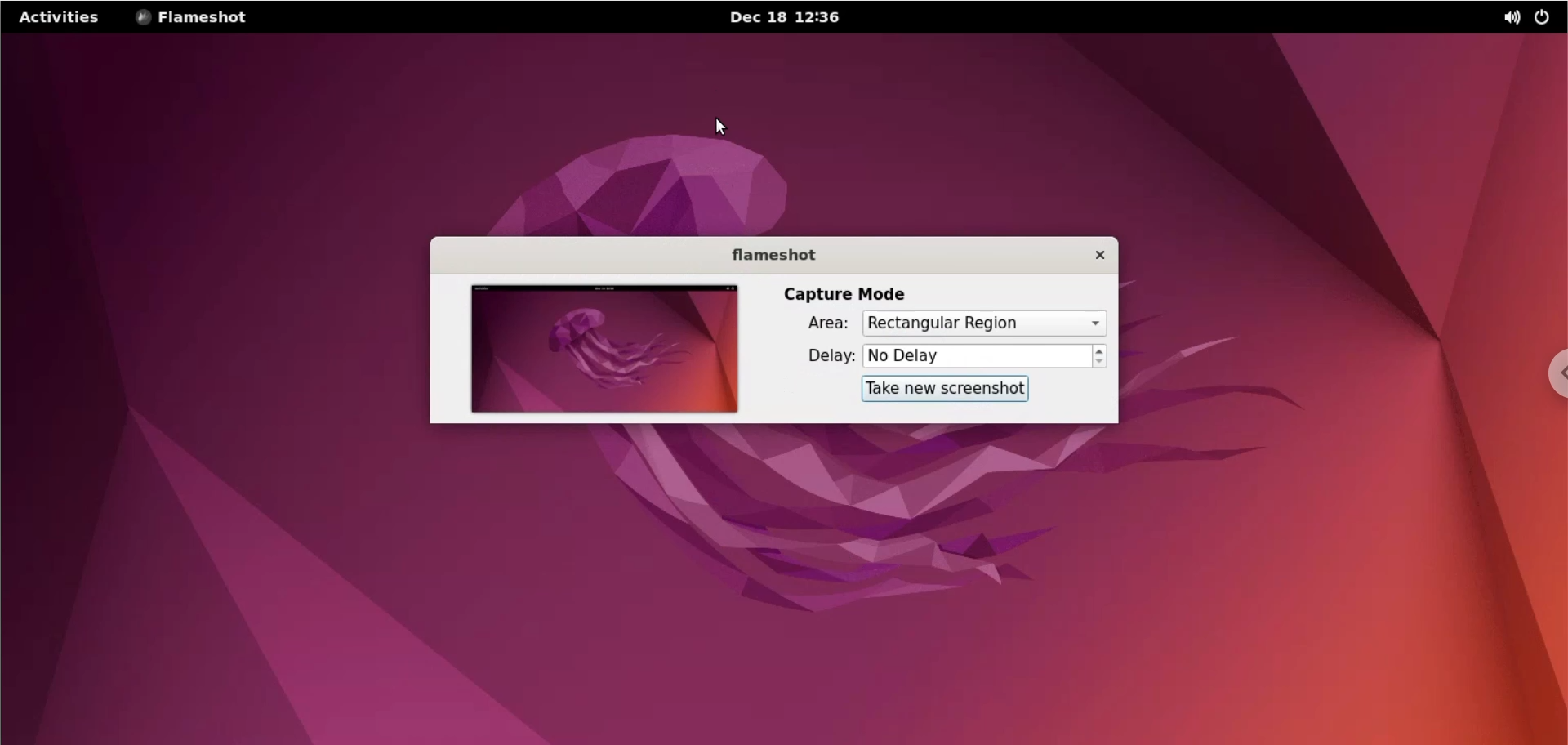 The width and height of the screenshot is (1568, 745). Describe the element at coordinates (724, 127) in the screenshot. I see `cursor` at that location.